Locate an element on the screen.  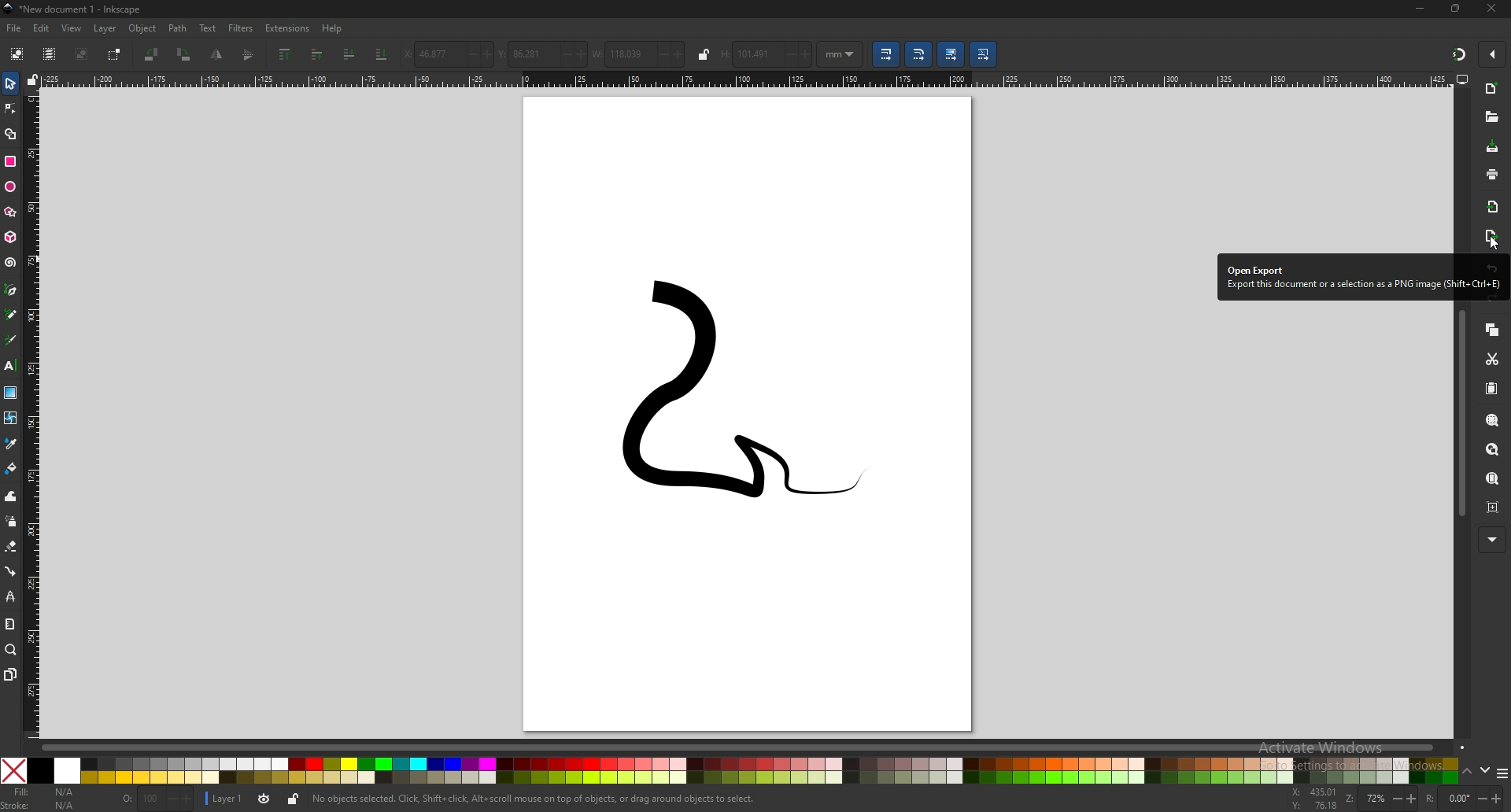
zoom is located at coordinates (1380, 799).